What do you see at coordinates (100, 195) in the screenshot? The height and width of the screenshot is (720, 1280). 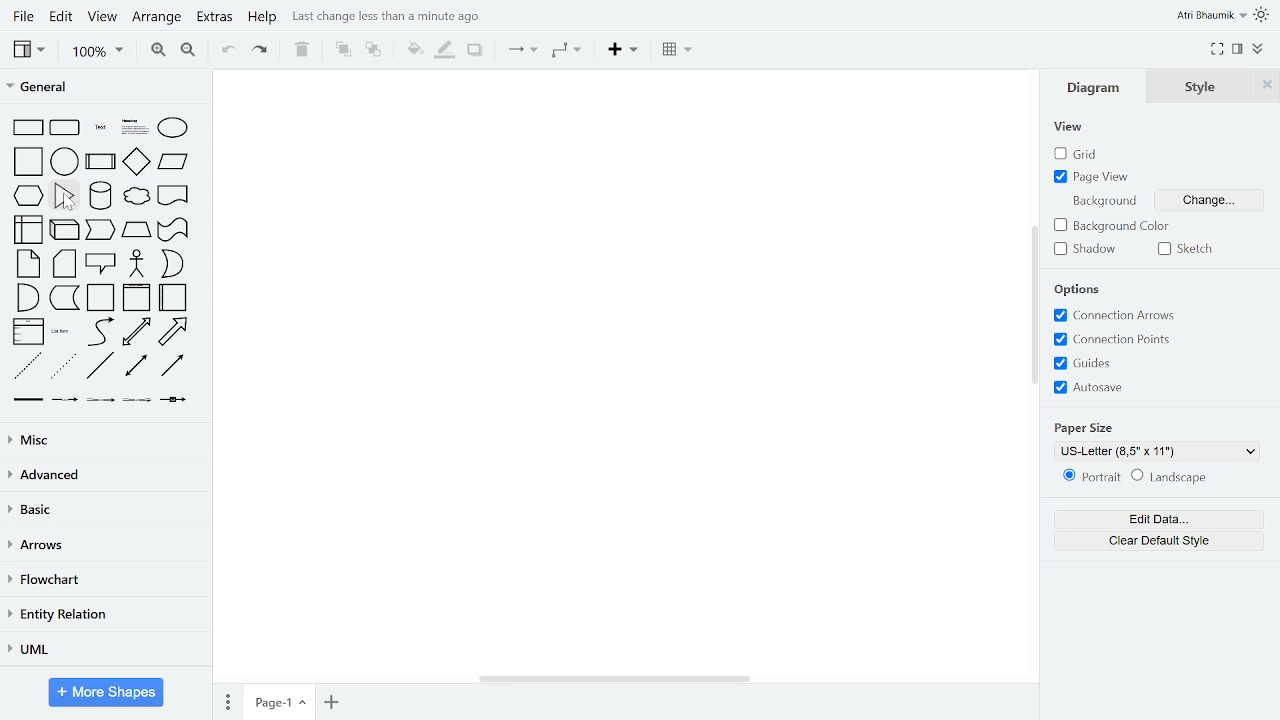 I see `cylinder` at bounding box center [100, 195].